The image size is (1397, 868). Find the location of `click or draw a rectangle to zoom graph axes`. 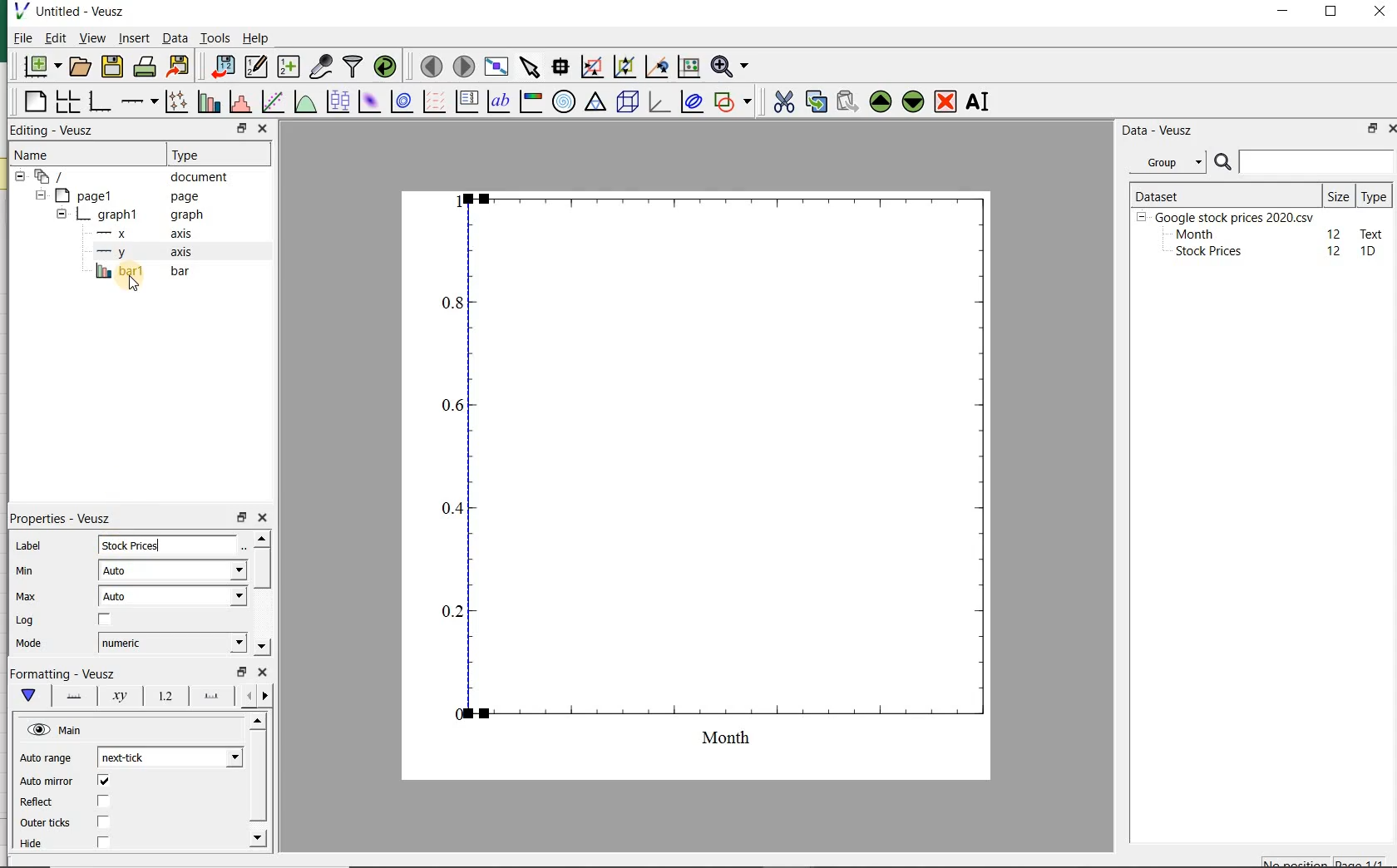

click or draw a rectangle to zoom graph axes is located at coordinates (591, 67).